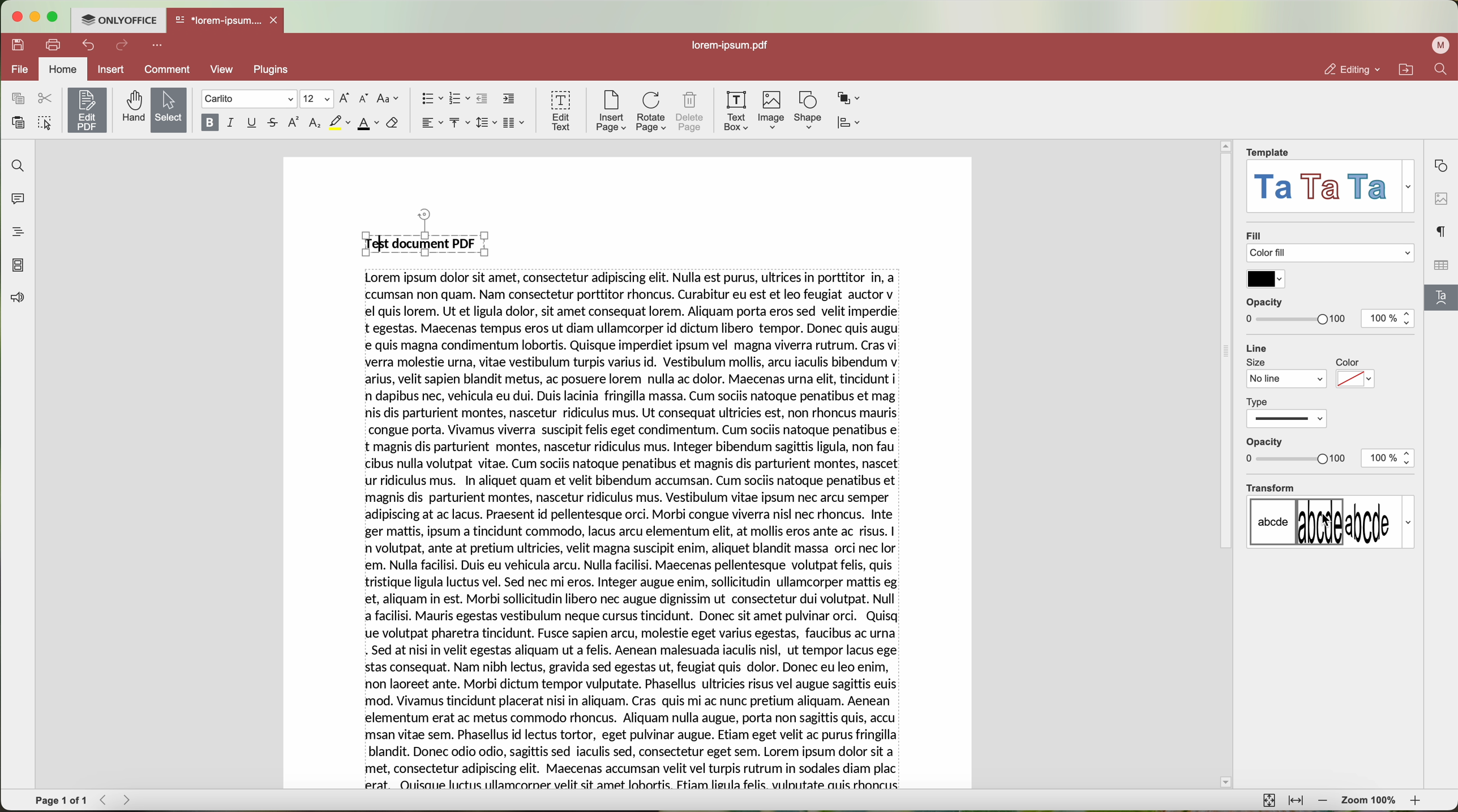 The image size is (1458, 812). Describe the element at coordinates (1323, 522) in the screenshot. I see `cursor` at that location.